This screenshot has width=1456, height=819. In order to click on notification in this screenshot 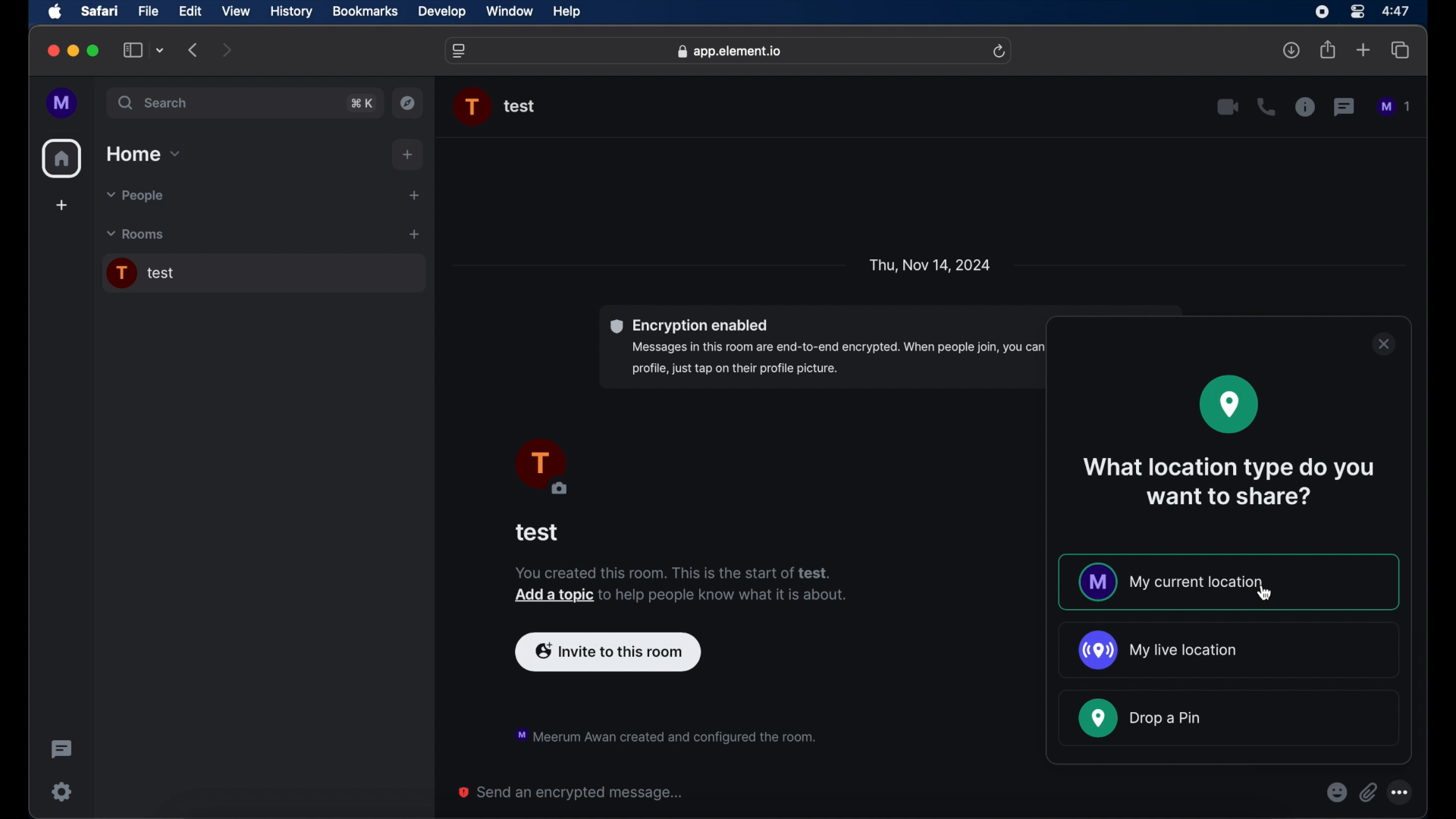, I will do `click(664, 734)`.